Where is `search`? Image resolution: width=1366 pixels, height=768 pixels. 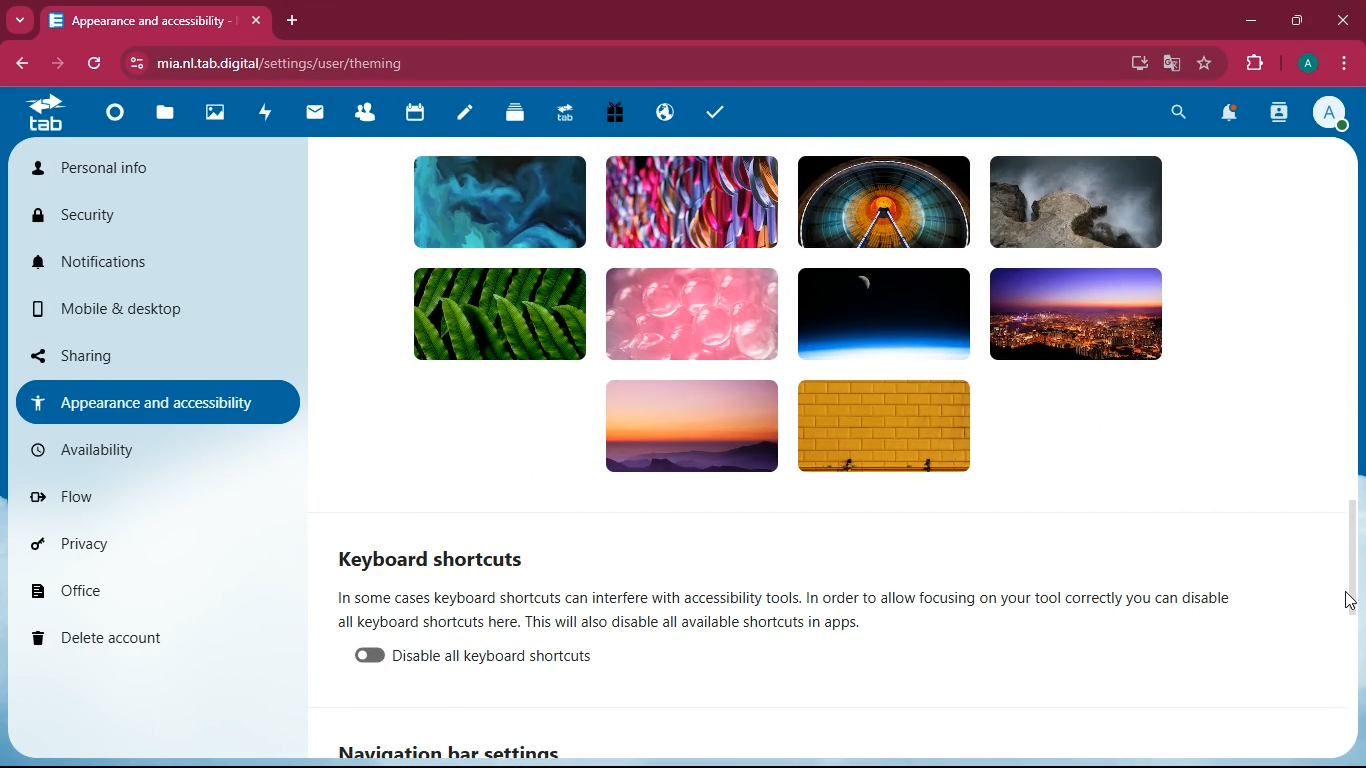
search is located at coordinates (1180, 114).